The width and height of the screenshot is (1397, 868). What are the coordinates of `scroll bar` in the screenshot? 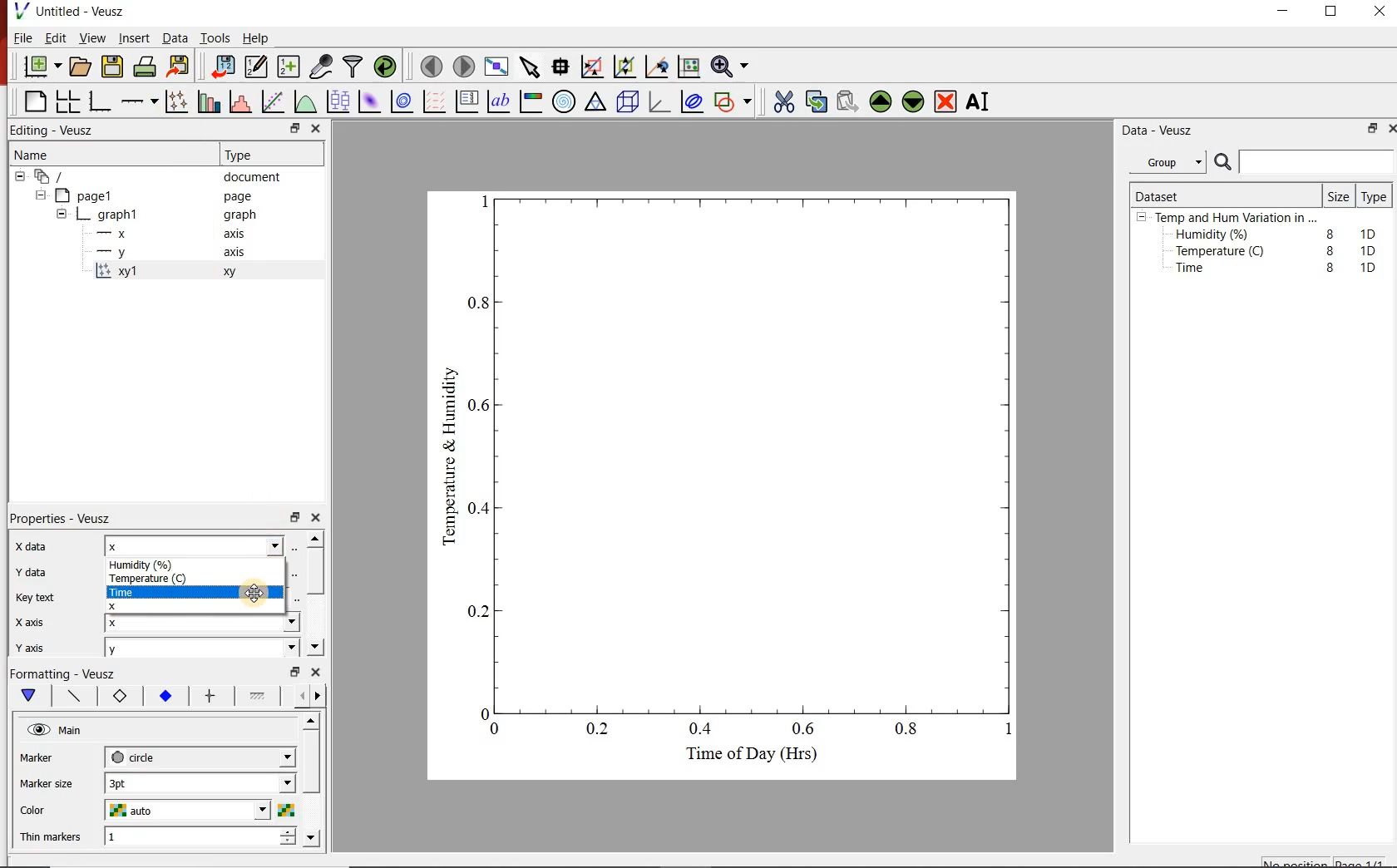 It's located at (313, 778).